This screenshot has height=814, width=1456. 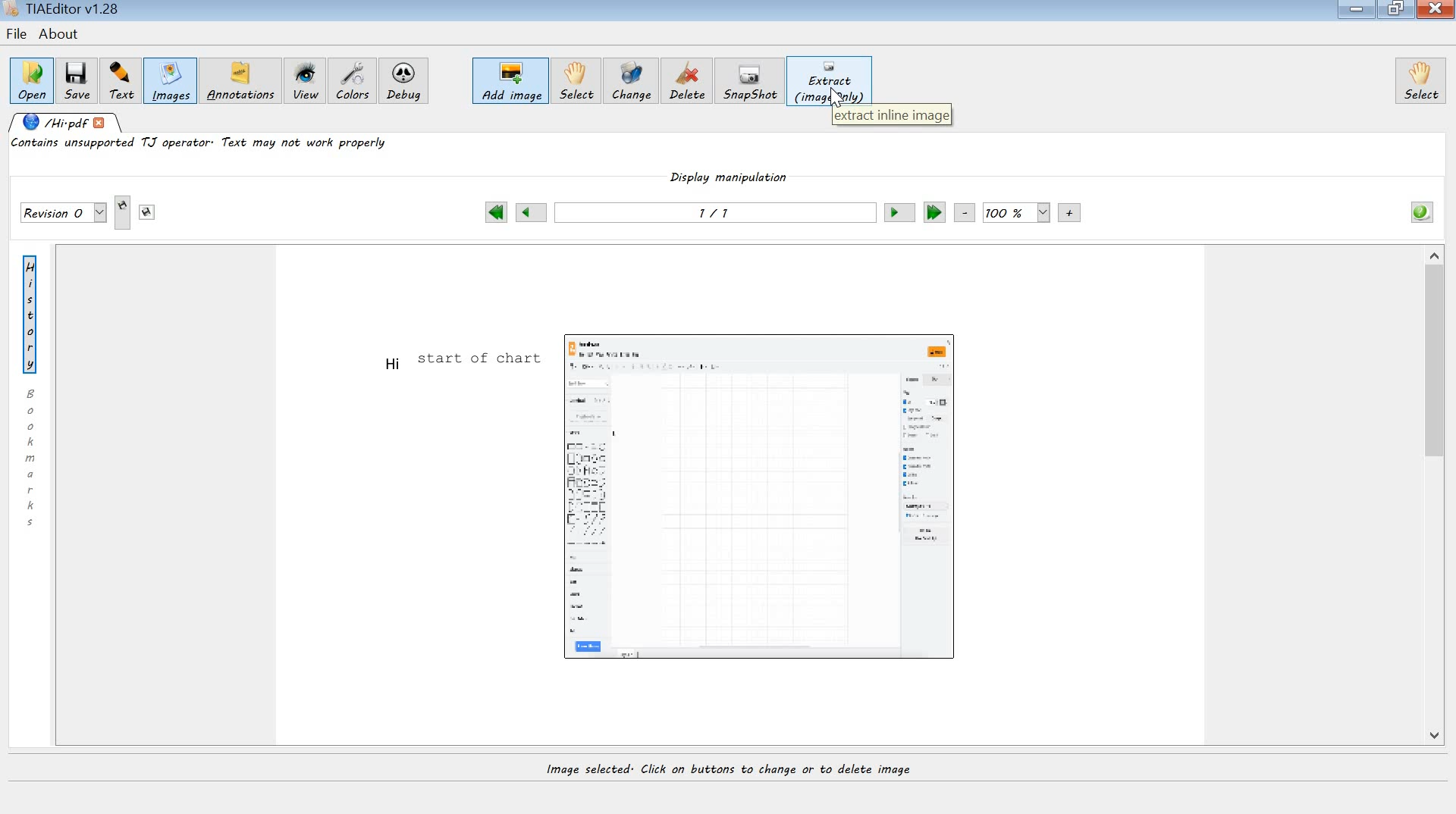 I want to click on content unsupported TJ operator, so click(x=202, y=146).